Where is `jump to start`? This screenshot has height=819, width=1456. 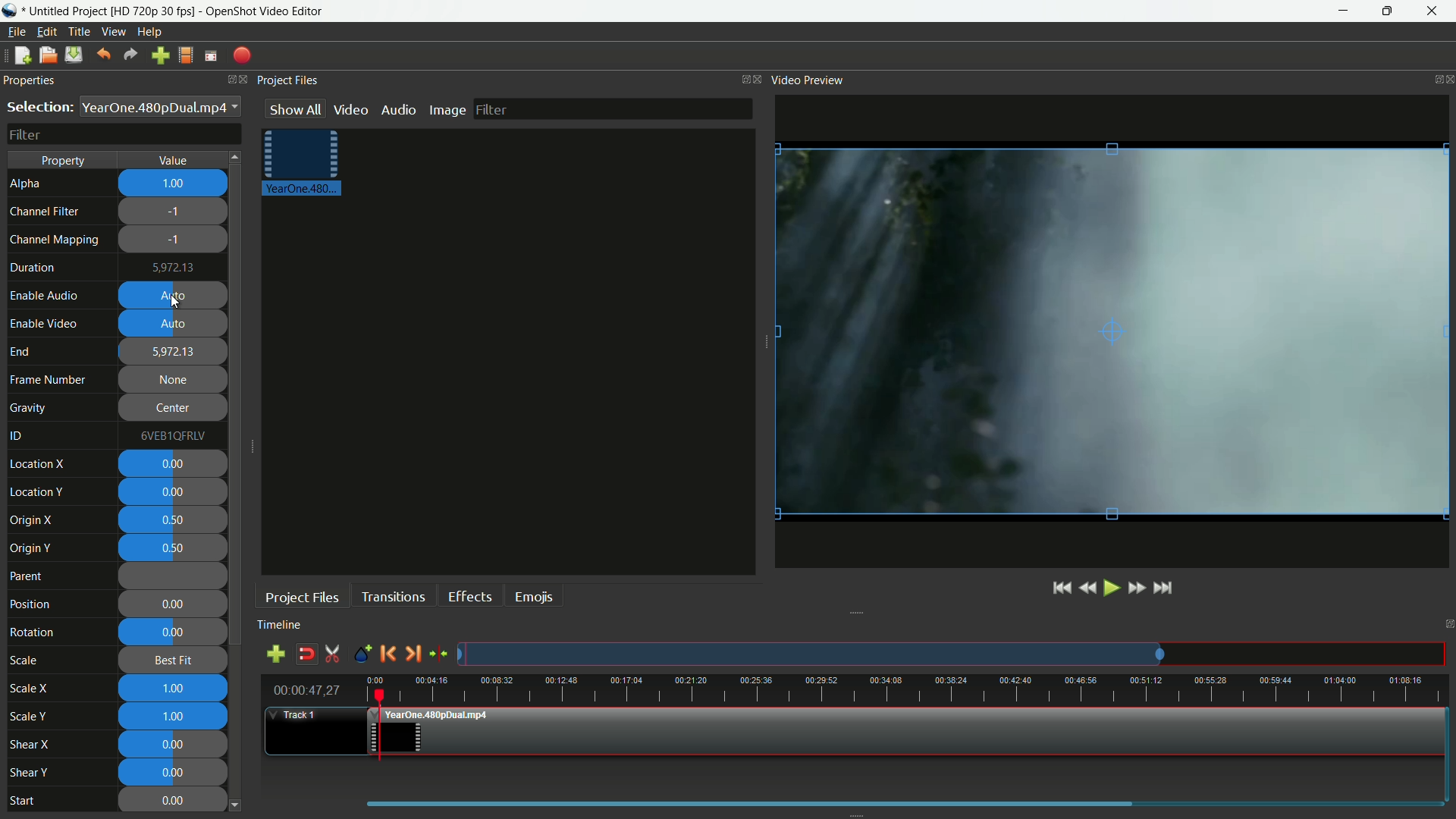
jump to start is located at coordinates (987, 589).